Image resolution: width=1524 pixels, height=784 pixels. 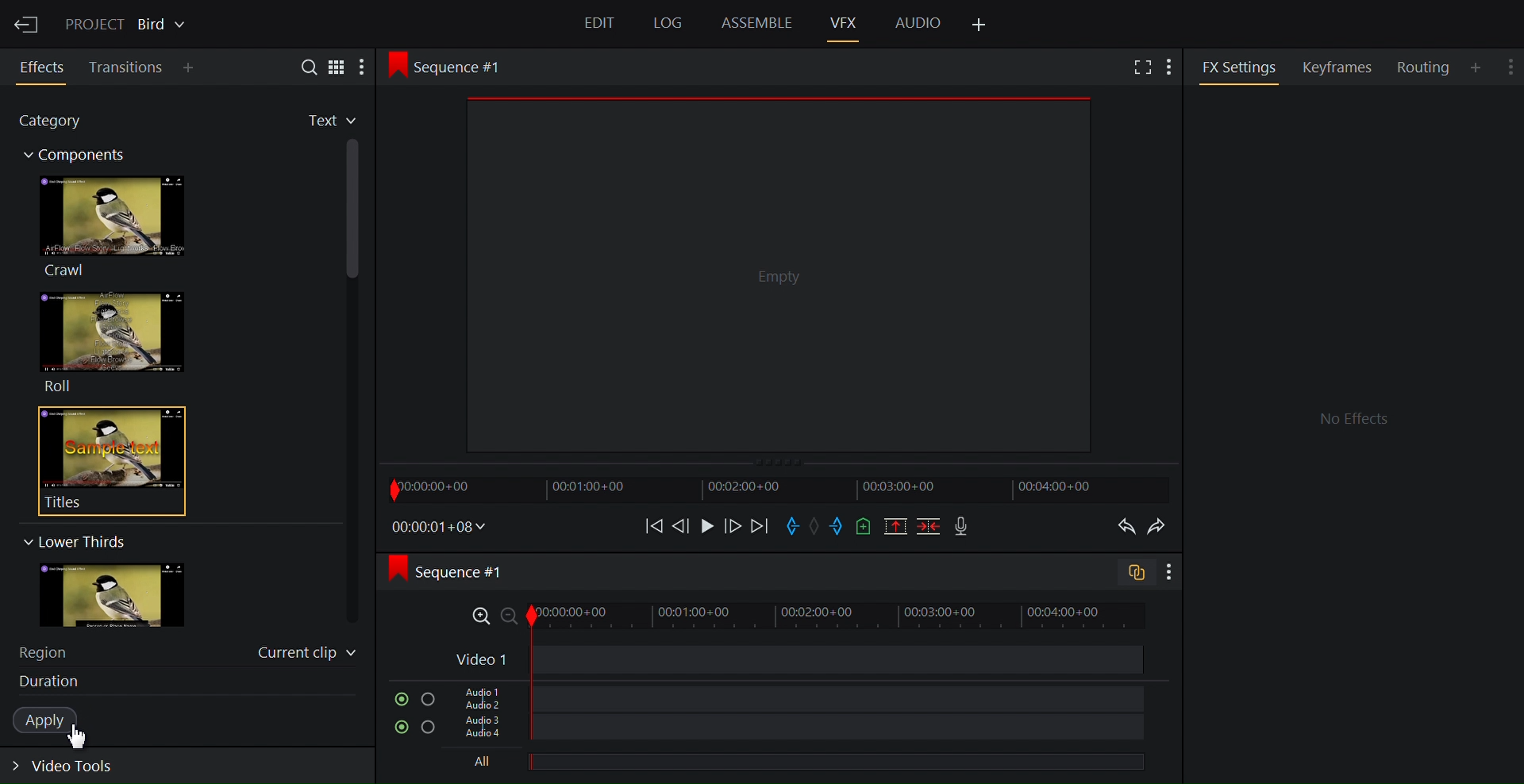 I want to click on Assemble, so click(x=756, y=23).